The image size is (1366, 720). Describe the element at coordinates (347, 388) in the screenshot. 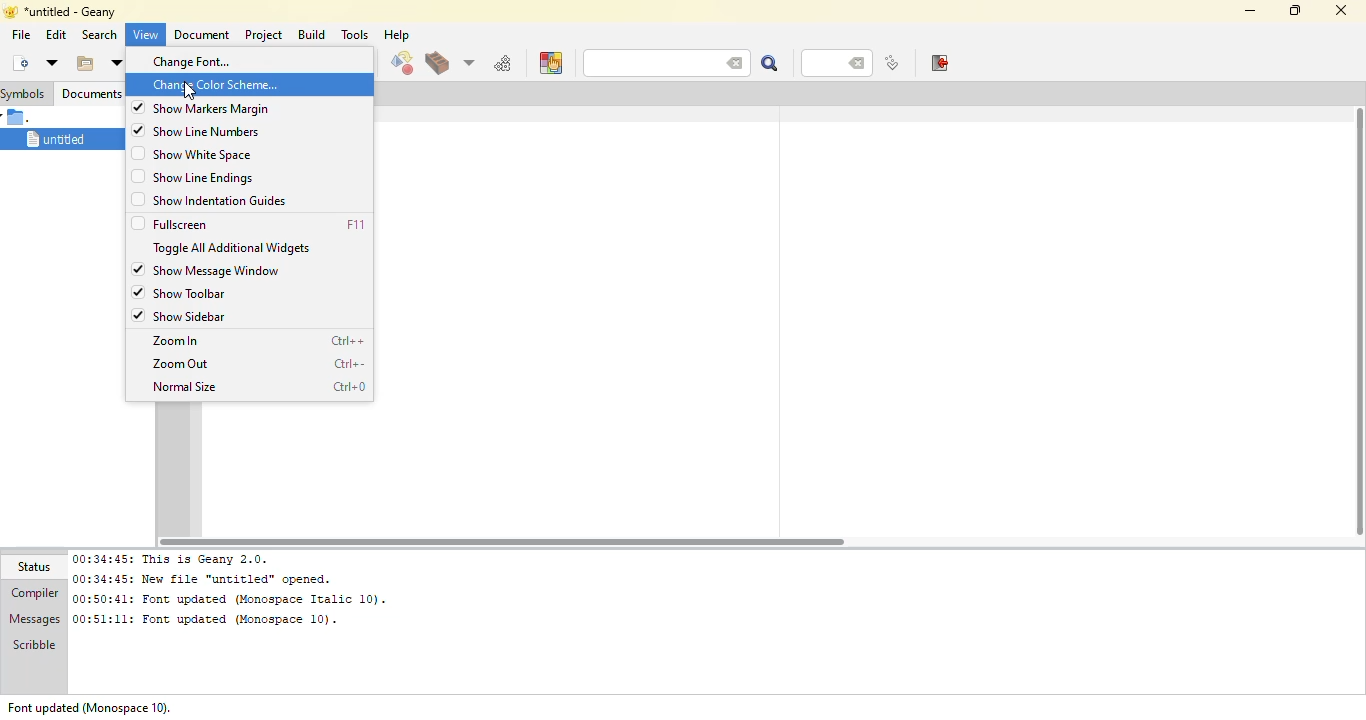

I see `ctrl+0` at that location.